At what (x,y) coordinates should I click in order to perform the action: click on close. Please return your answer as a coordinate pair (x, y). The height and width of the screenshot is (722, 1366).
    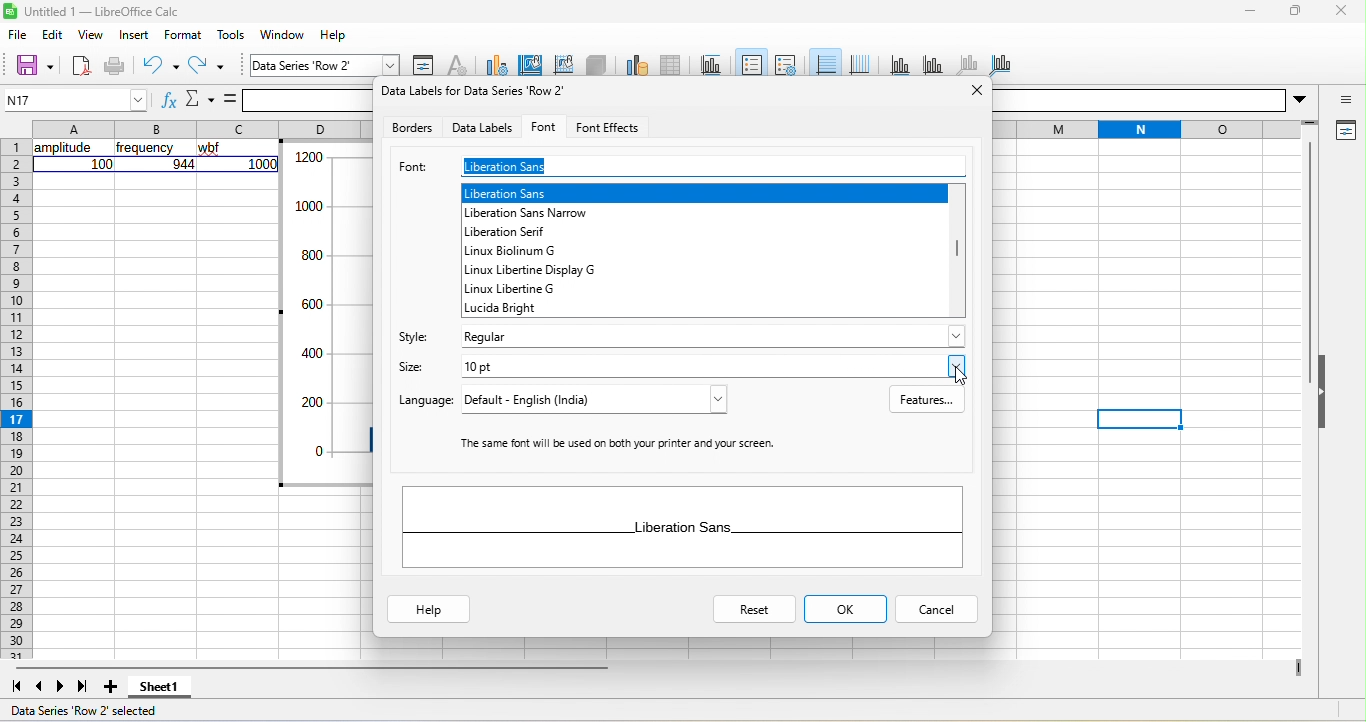
    Looking at the image, I should click on (1337, 13).